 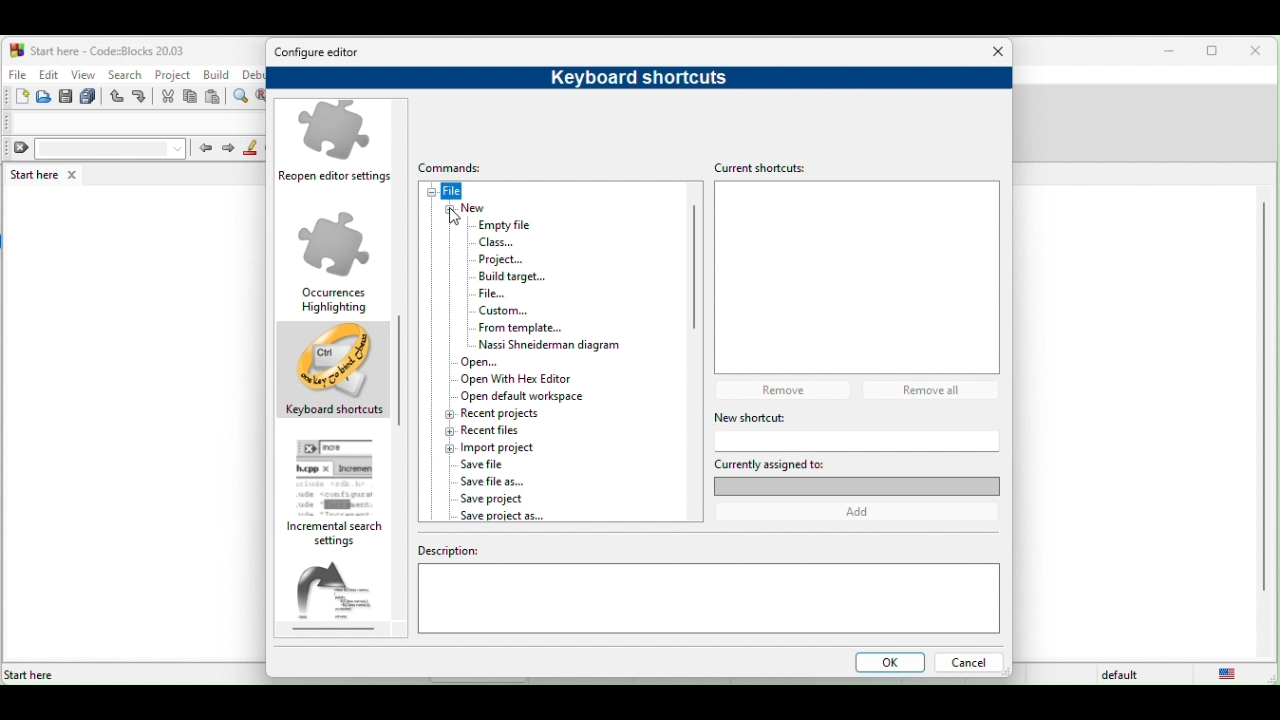 I want to click on open default workspace, so click(x=520, y=396).